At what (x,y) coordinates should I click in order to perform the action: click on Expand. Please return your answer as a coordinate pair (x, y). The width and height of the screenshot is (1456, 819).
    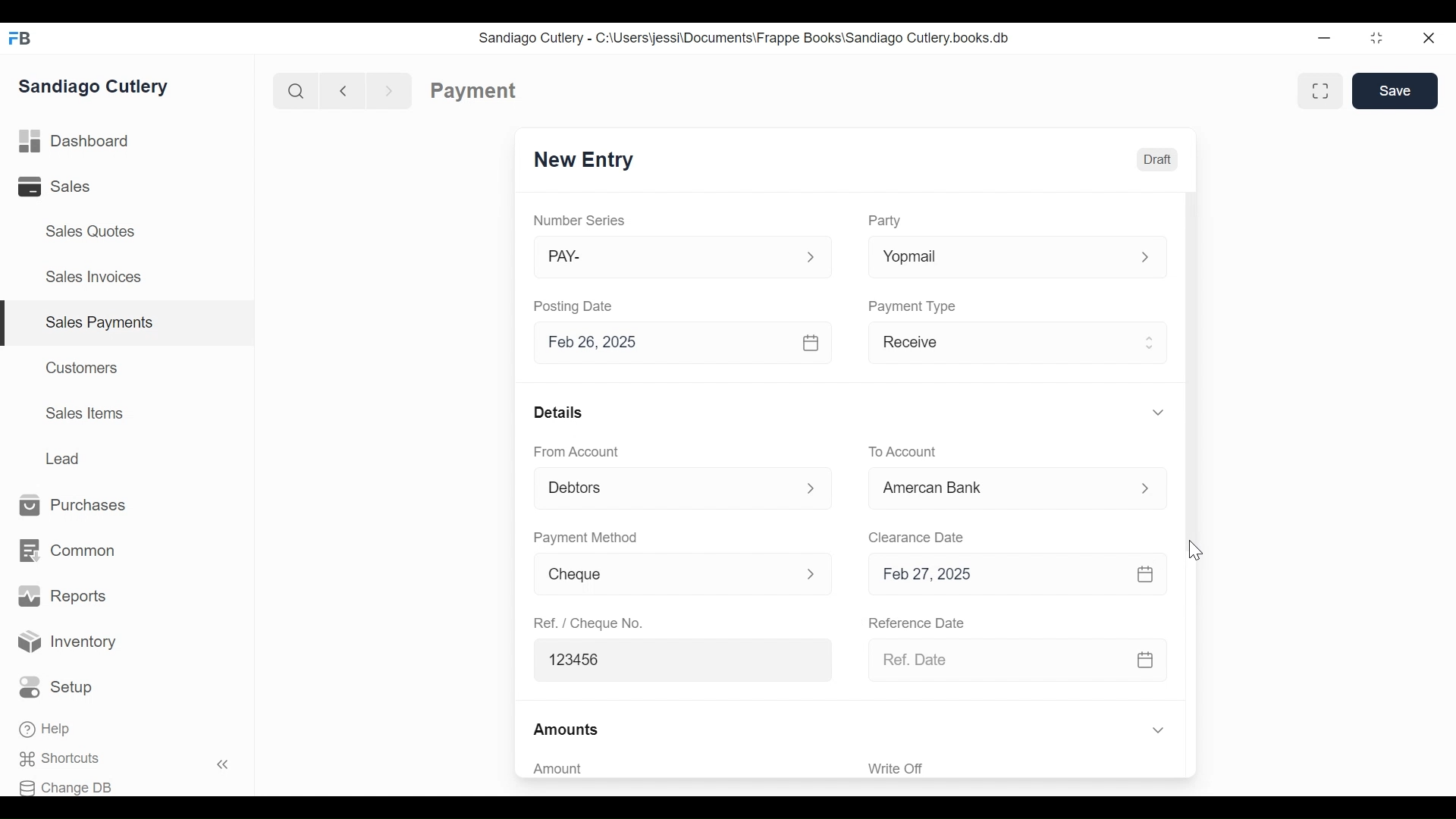
    Looking at the image, I should click on (1145, 259).